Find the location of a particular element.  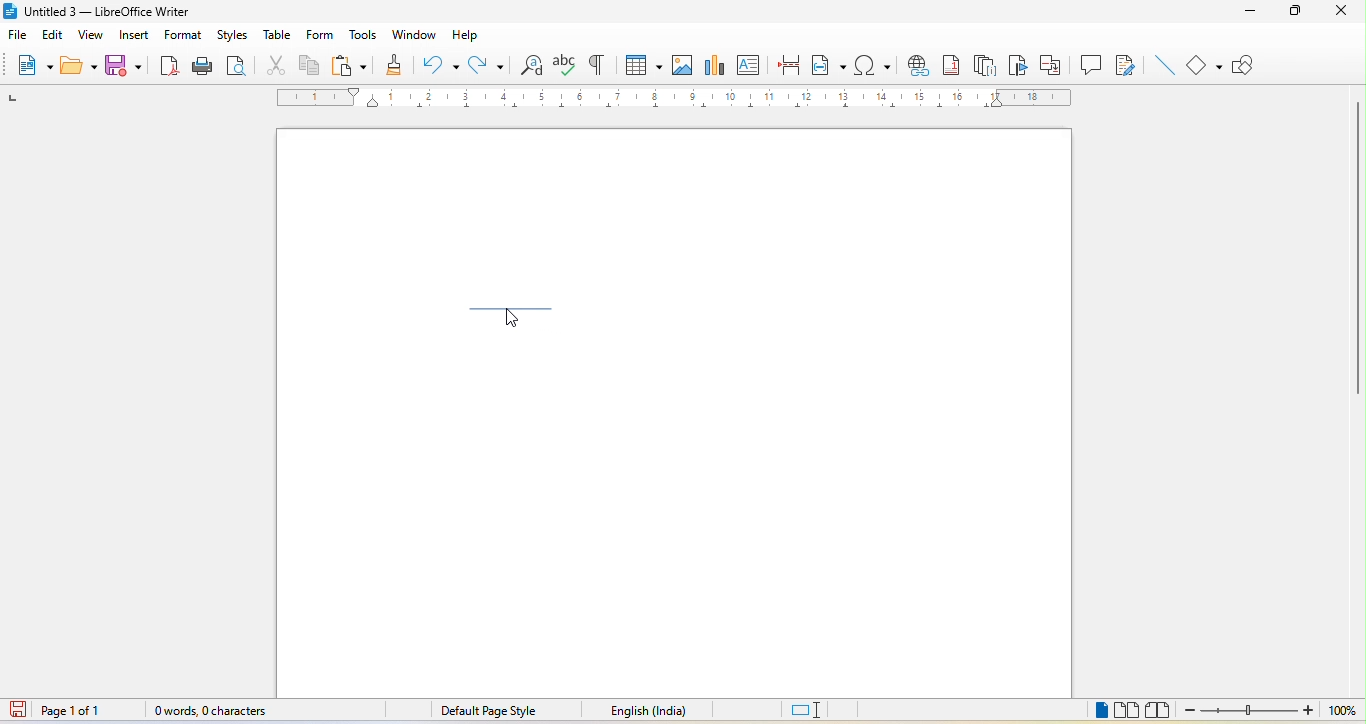

standard selection is located at coordinates (813, 710).